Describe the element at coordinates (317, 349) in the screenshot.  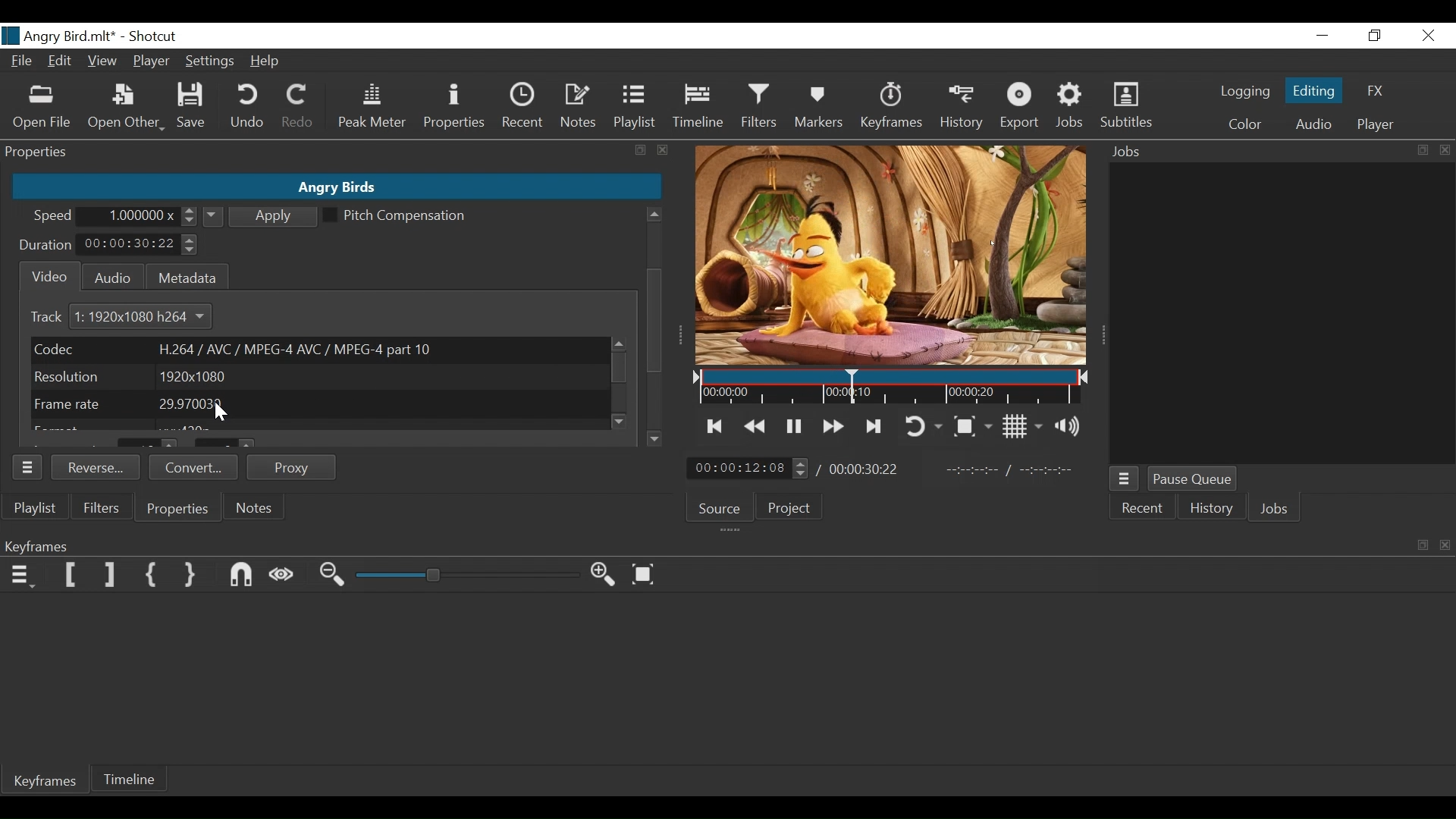
I see `Codec` at that location.